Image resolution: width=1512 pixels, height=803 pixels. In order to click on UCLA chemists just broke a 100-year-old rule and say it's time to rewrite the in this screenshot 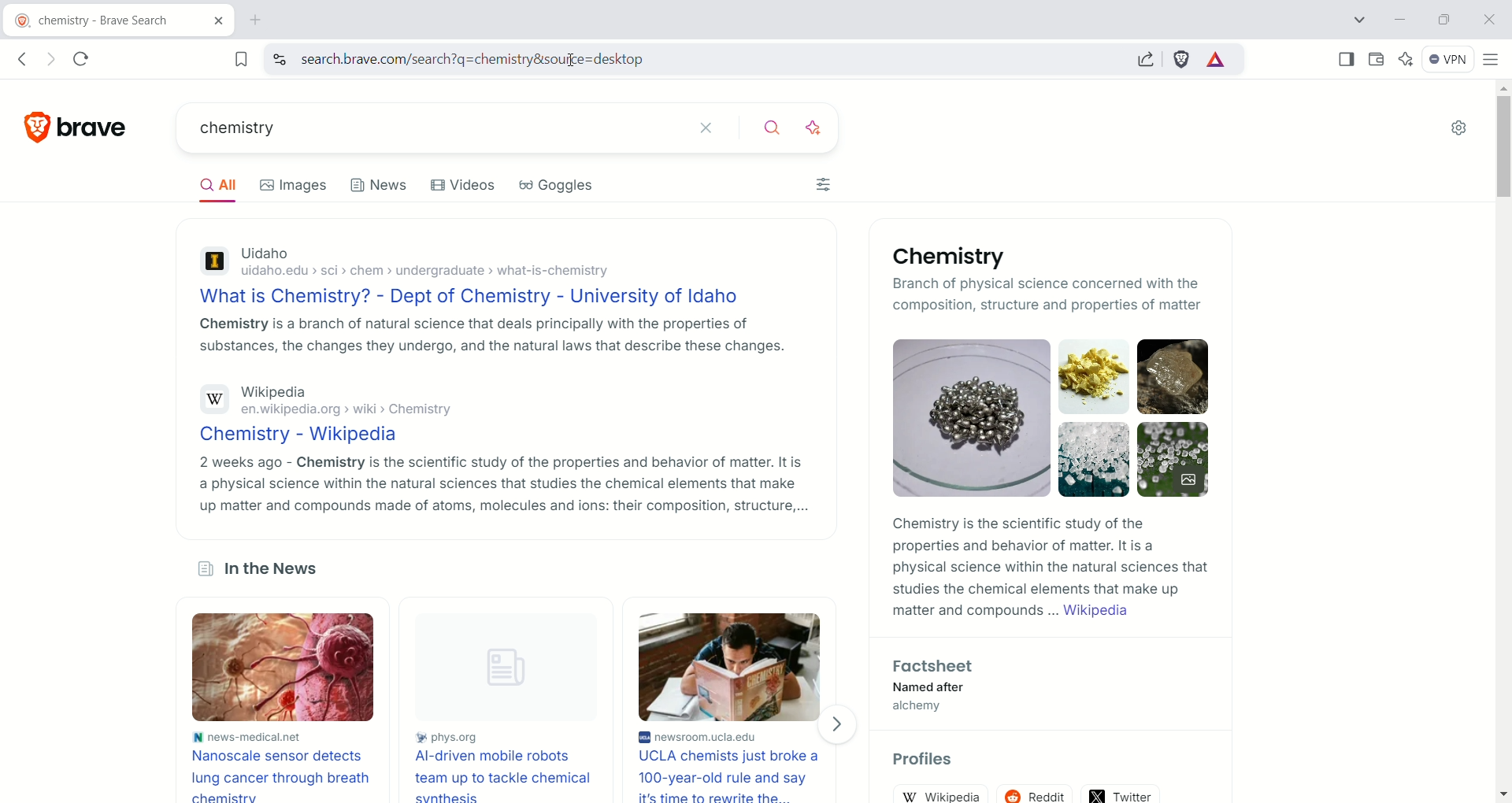, I will do `click(734, 775)`.